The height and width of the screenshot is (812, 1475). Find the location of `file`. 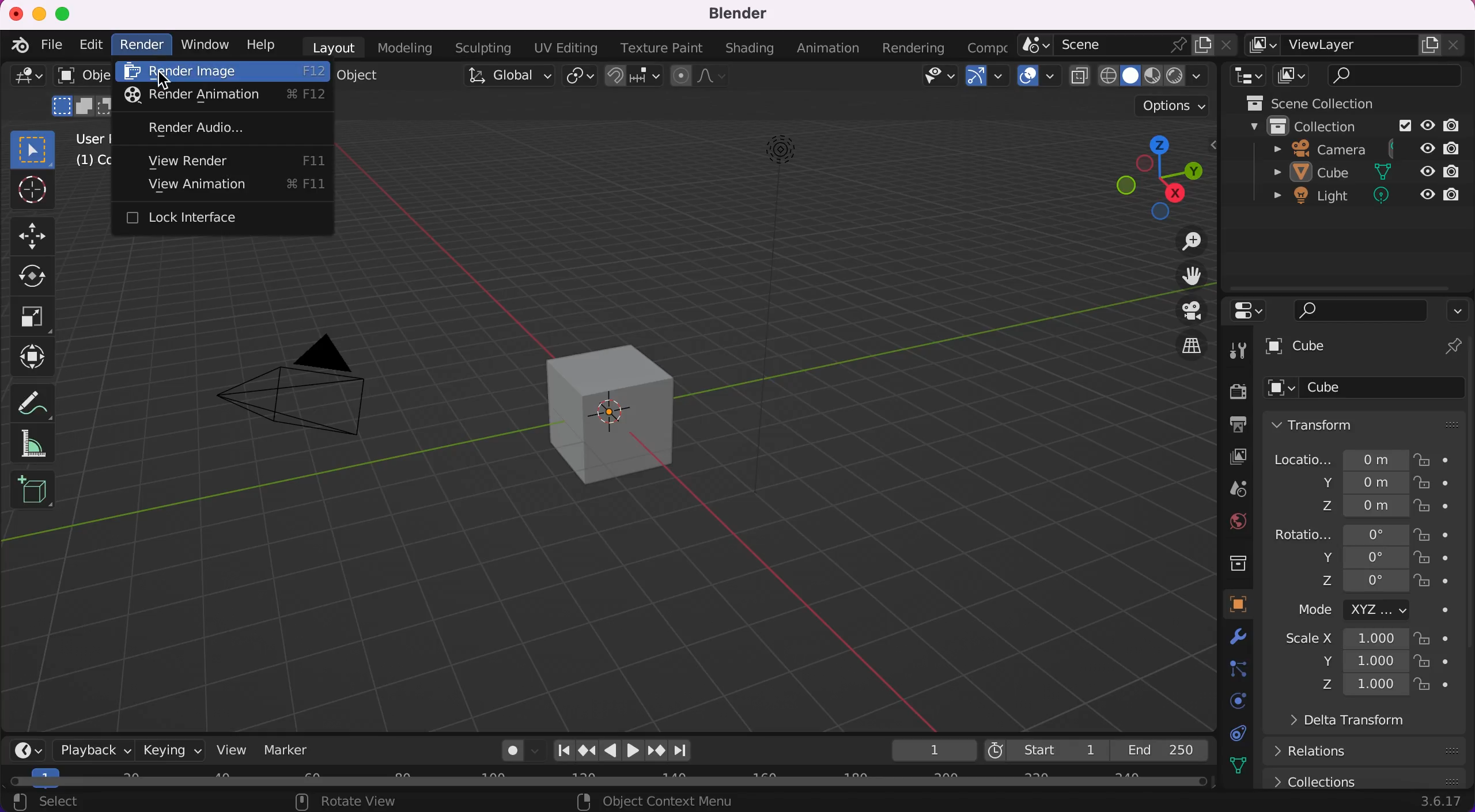

file is located at coordinates (51, 43).